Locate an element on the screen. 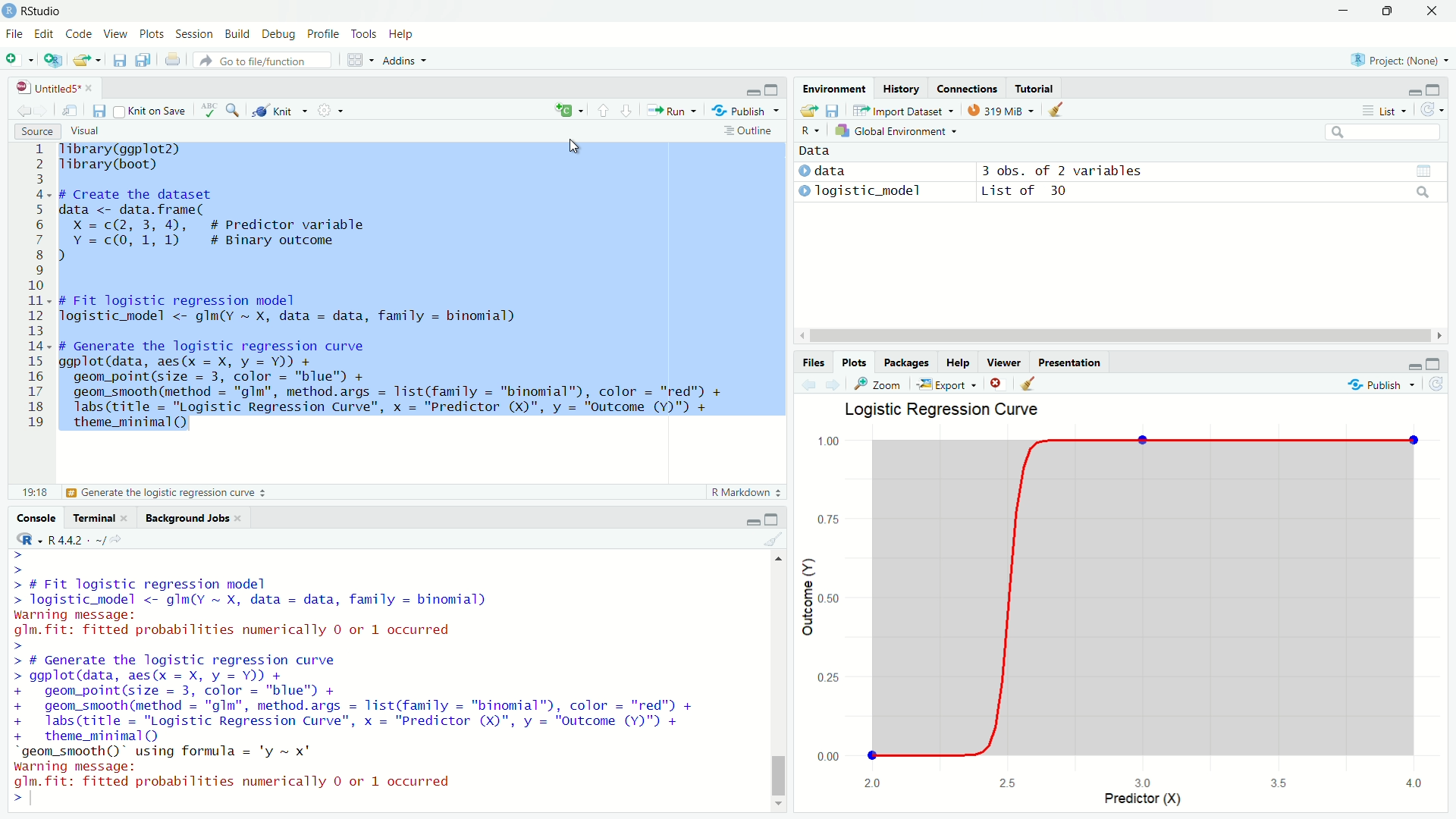 This screenshot has height=819, width=1456. search is located at coordinates (1423, 193).